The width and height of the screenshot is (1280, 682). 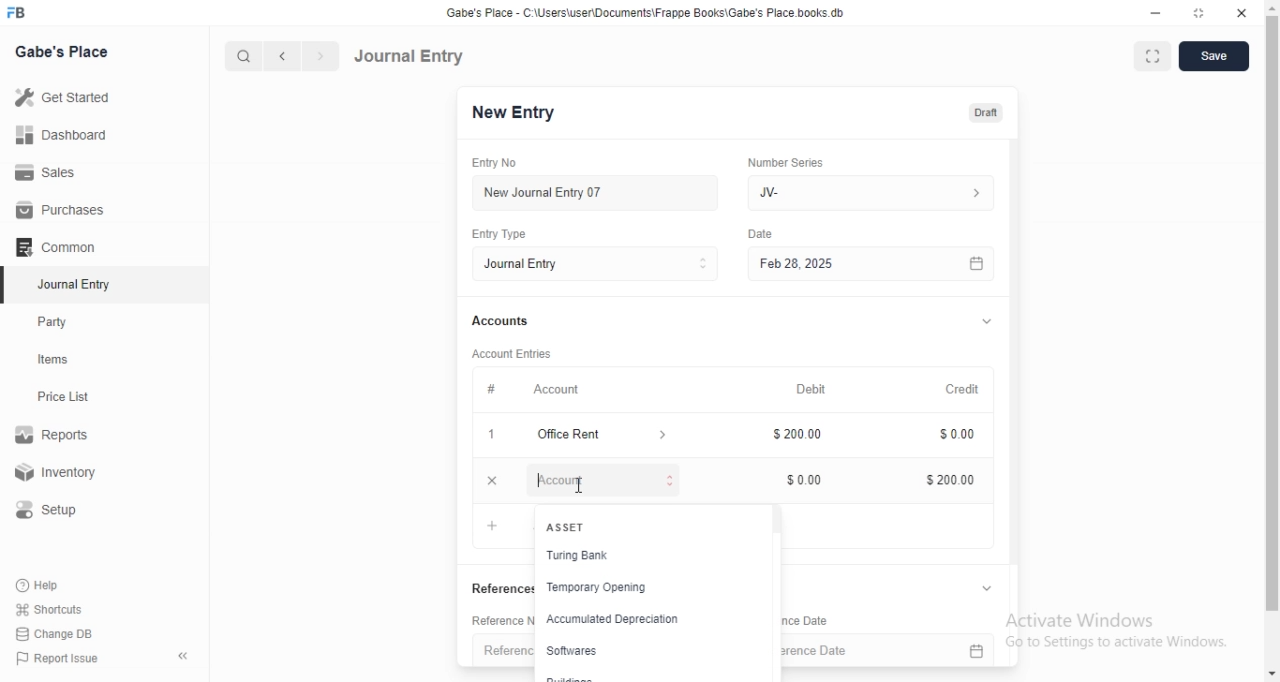 I want to click on fullscreen, so click(x=1157, y=57).